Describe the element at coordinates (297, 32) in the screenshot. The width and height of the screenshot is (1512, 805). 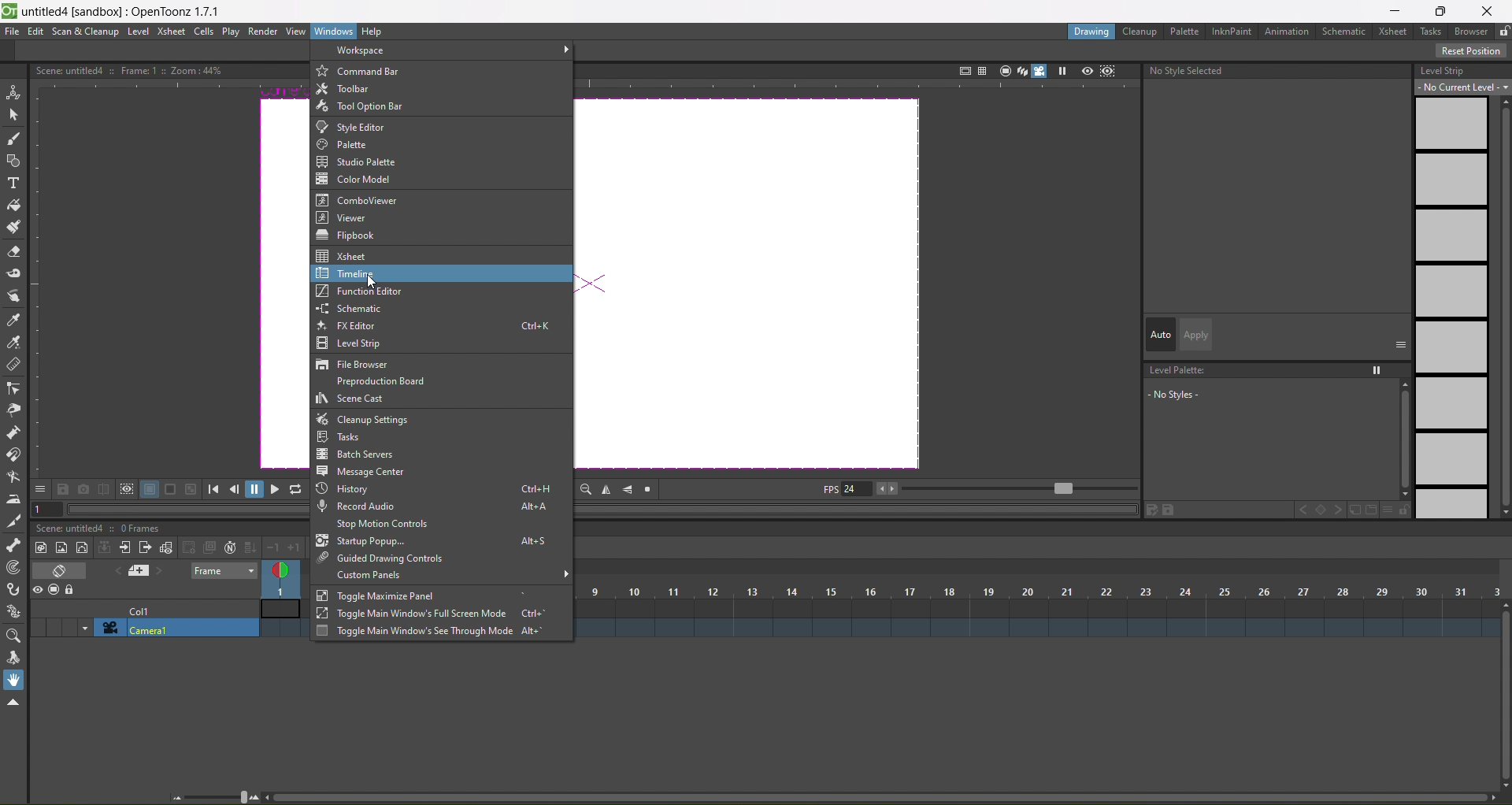
I see `view` at that location.